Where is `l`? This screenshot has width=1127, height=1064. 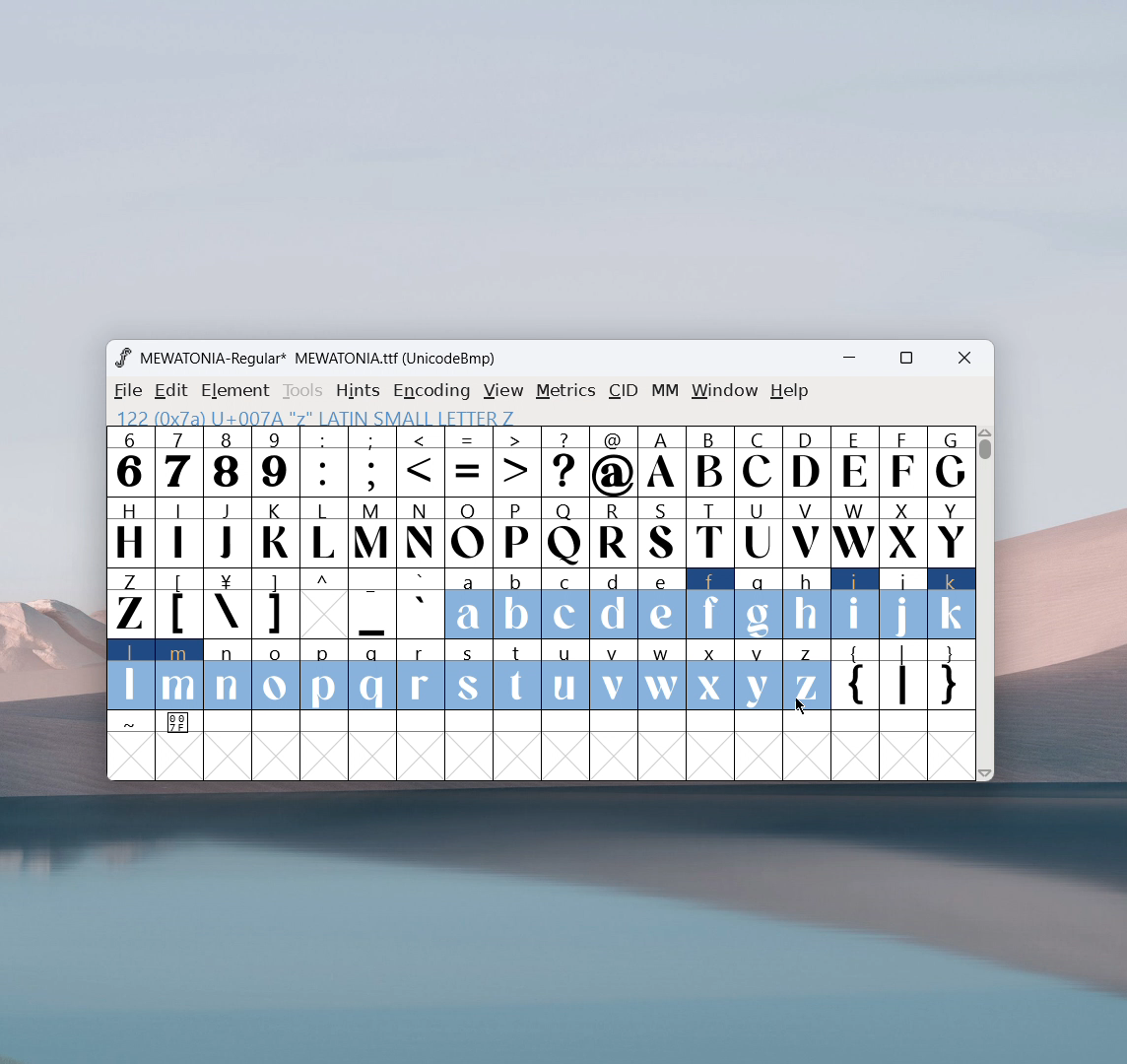
l is located at coordinates (131, 674).